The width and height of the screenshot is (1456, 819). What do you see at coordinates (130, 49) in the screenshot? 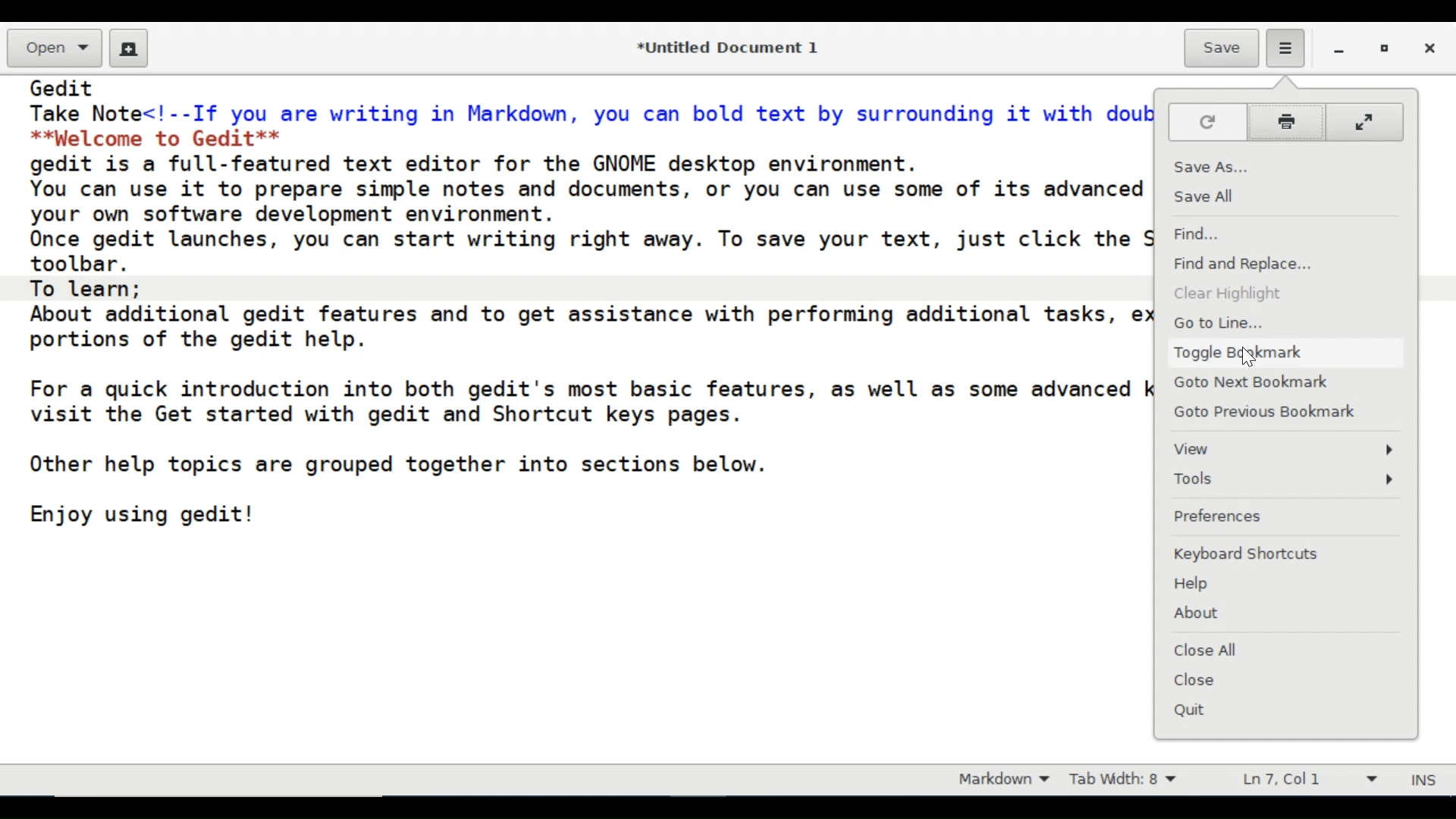
I see `Create a new document` at bounding box center [130, 49].